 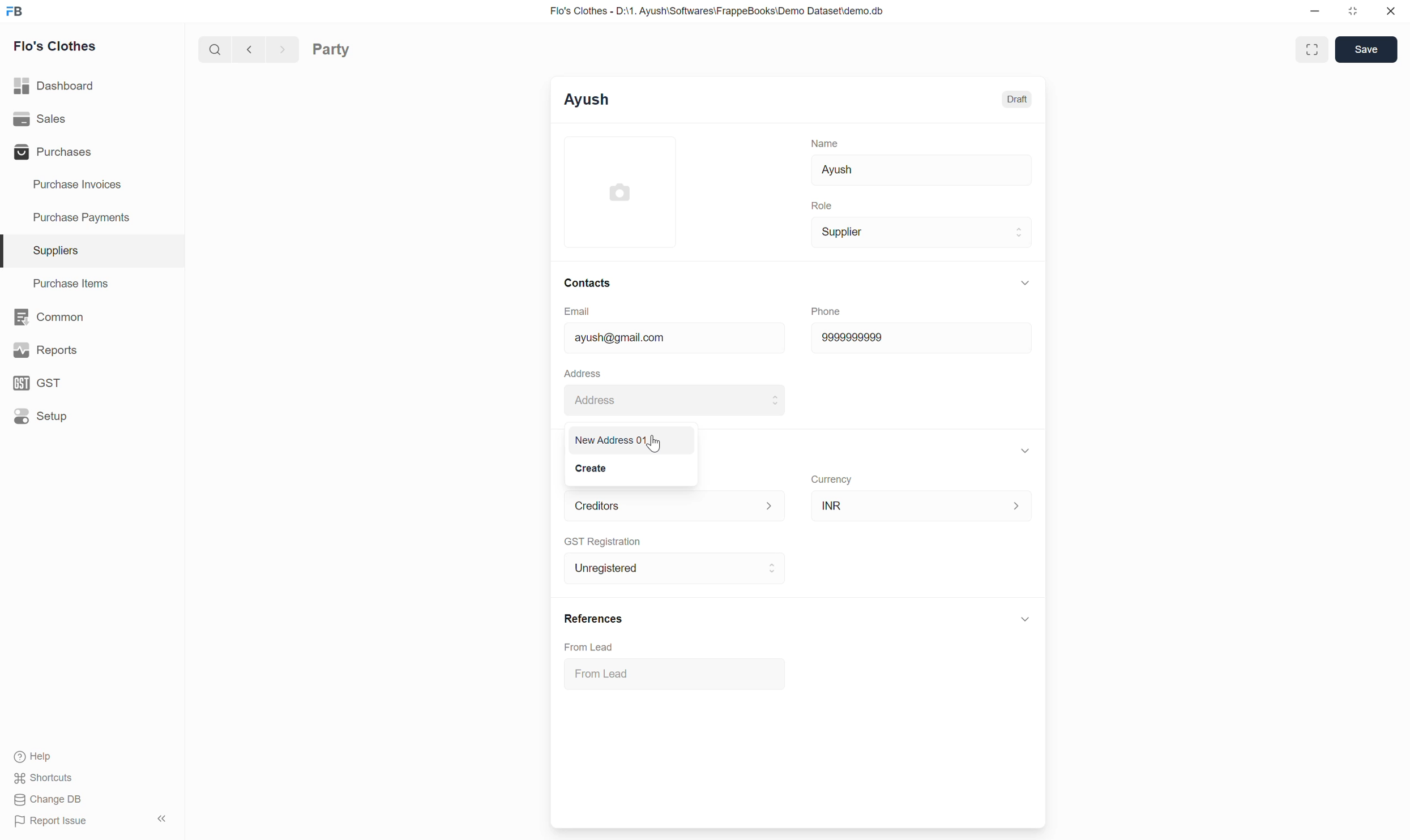 I want to click on Ayush, so click(x=587, y=100).